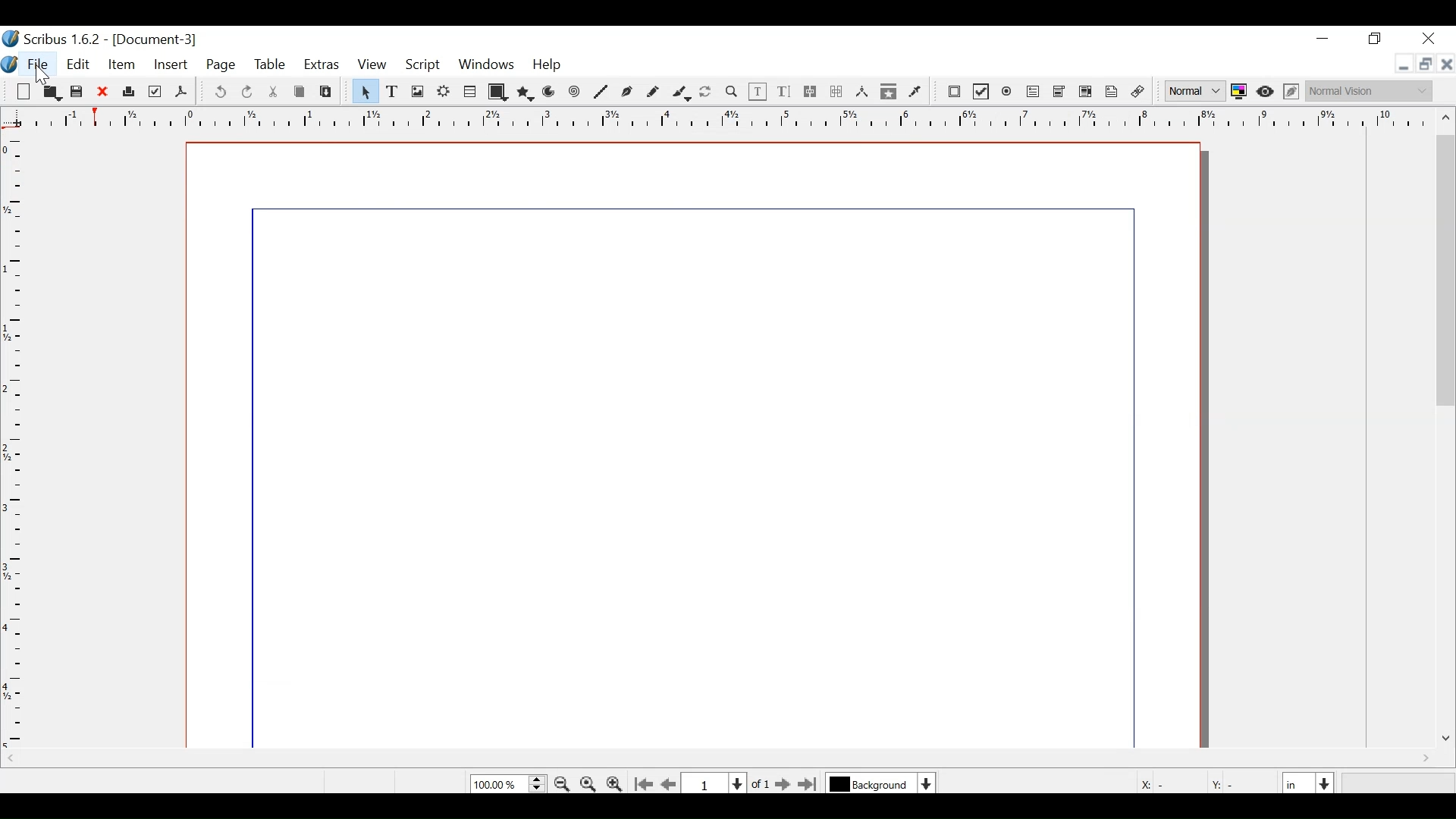 This screenshot has width=1456, height=819. Describe the element at coordinates (1061, 93) in the screenshot. I see `PDF Combo Box ` at that location.